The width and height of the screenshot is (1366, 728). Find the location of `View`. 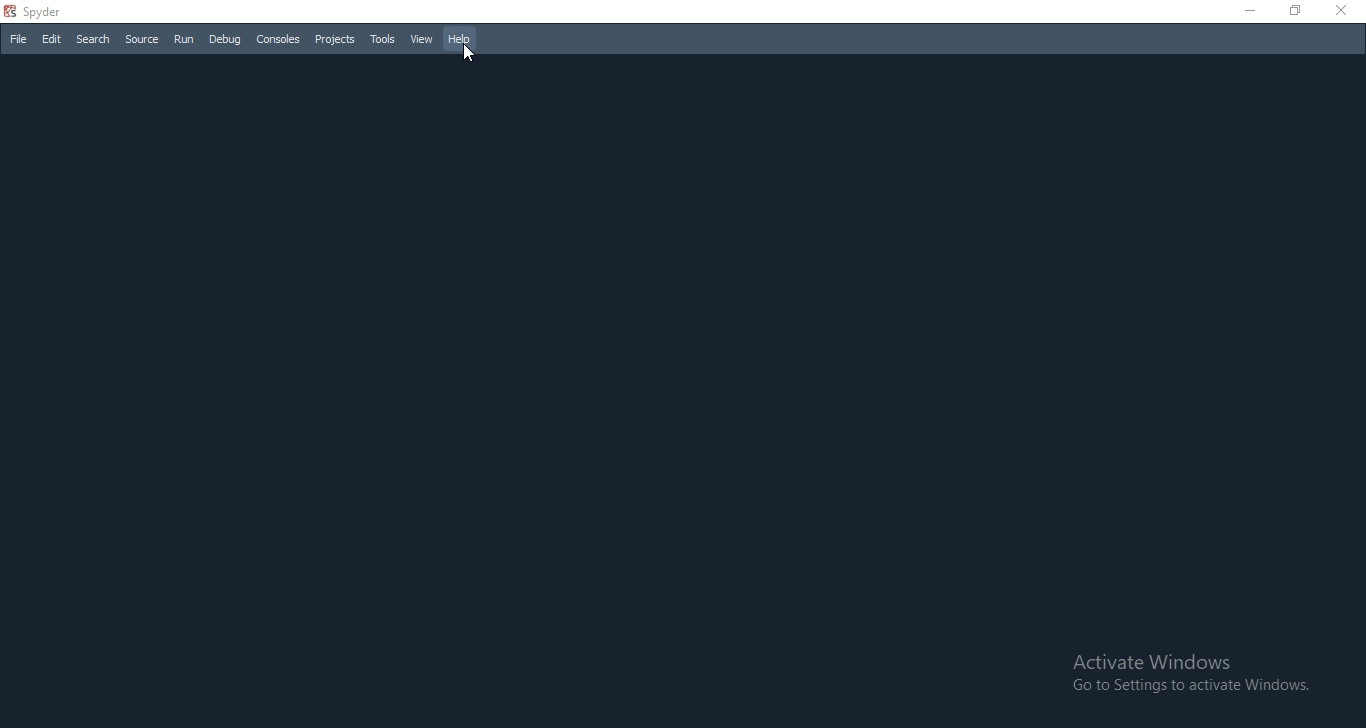

View is located at coordinates (423, 37).